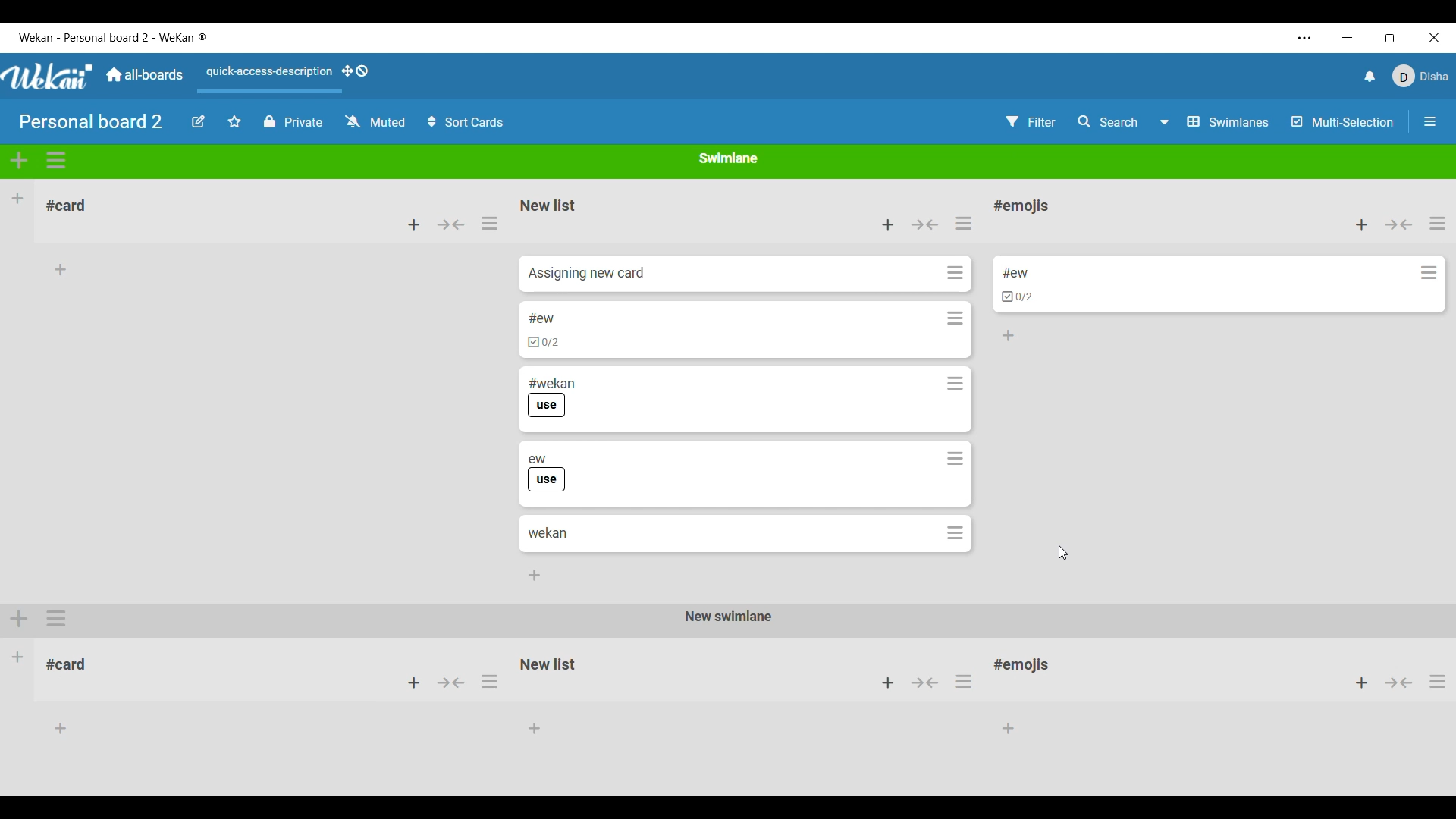 The width and height of the screenshot is (1456, 819). What do you see at coordinates (67, 206) in the screenshot?
I see `List name` at bounding box center [67, 206].